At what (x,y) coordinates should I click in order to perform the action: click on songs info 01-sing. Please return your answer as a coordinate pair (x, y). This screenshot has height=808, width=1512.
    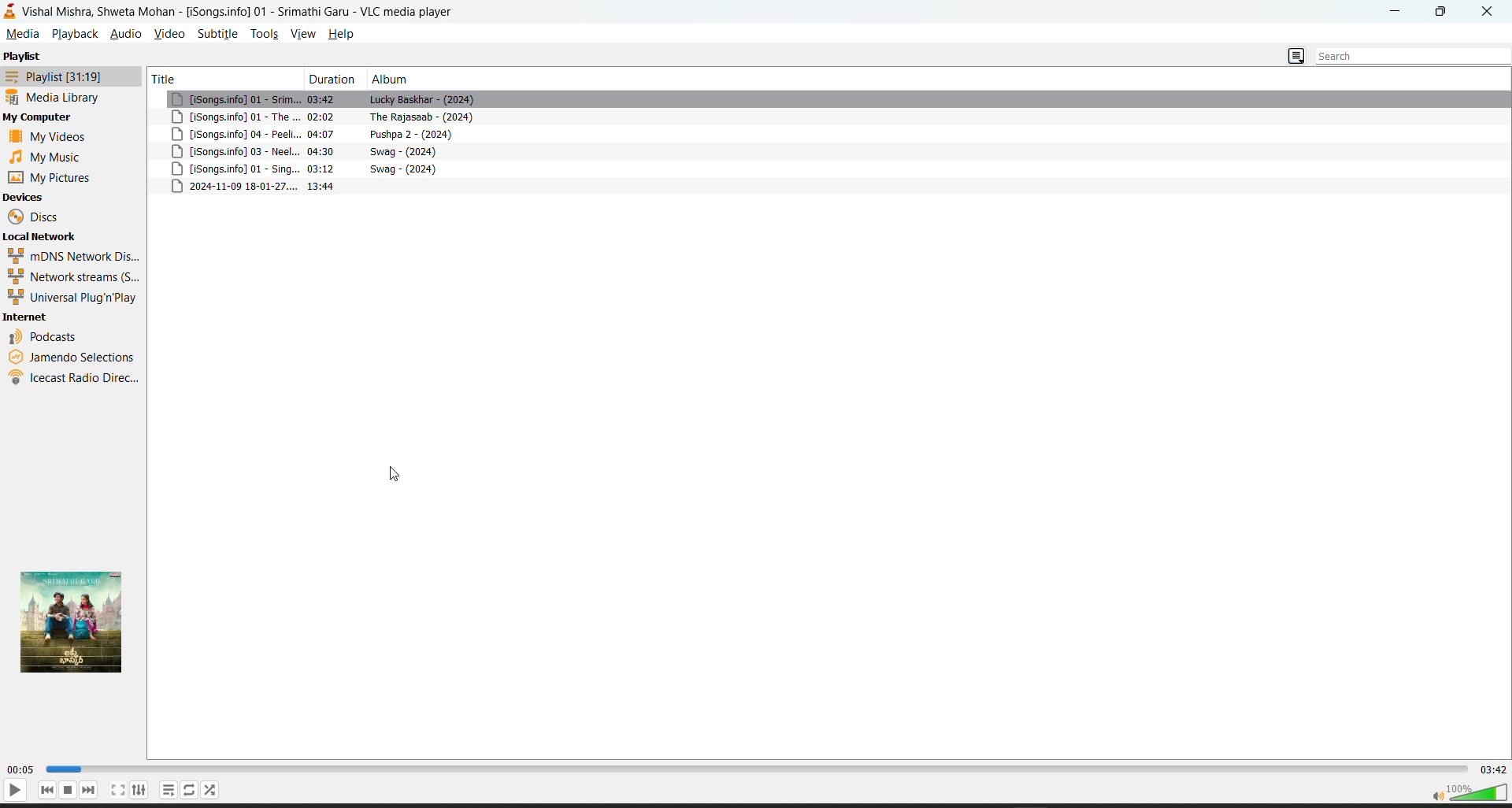
    Looking at the image, I should click on (232, 169).